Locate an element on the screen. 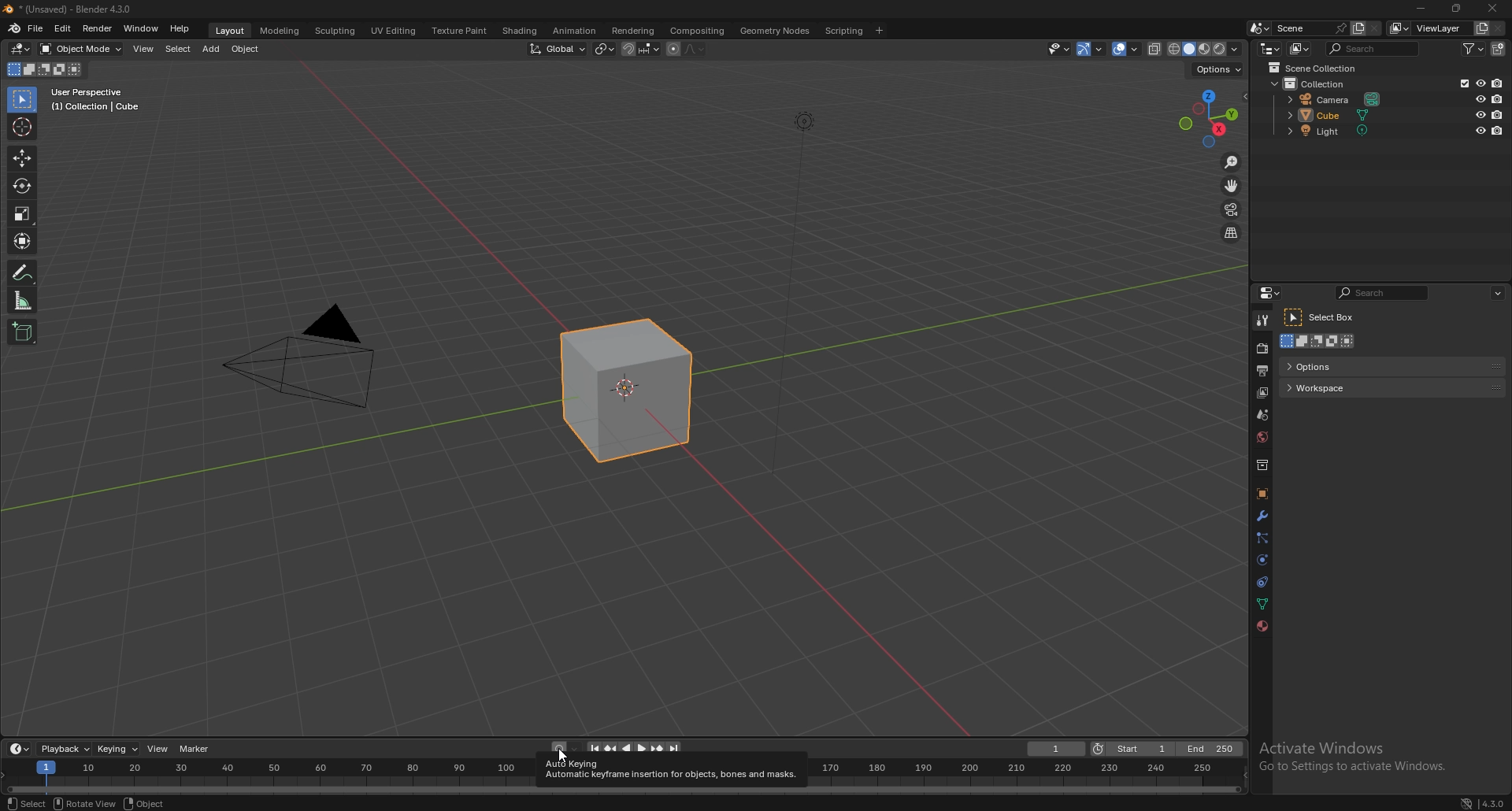  add cube is located at coordinates (23, 332).